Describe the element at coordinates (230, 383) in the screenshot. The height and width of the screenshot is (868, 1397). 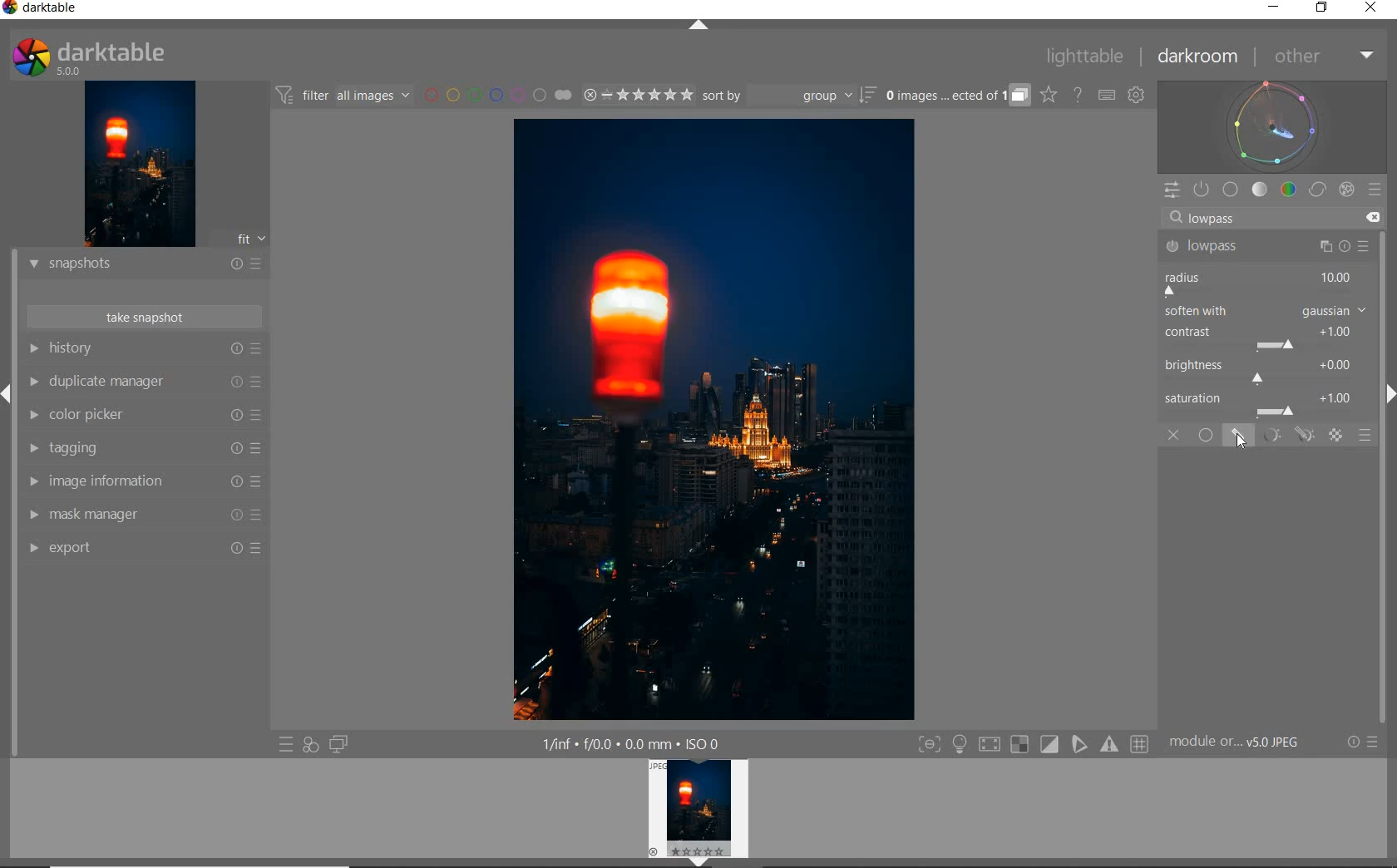
I see `Reset` at that location.